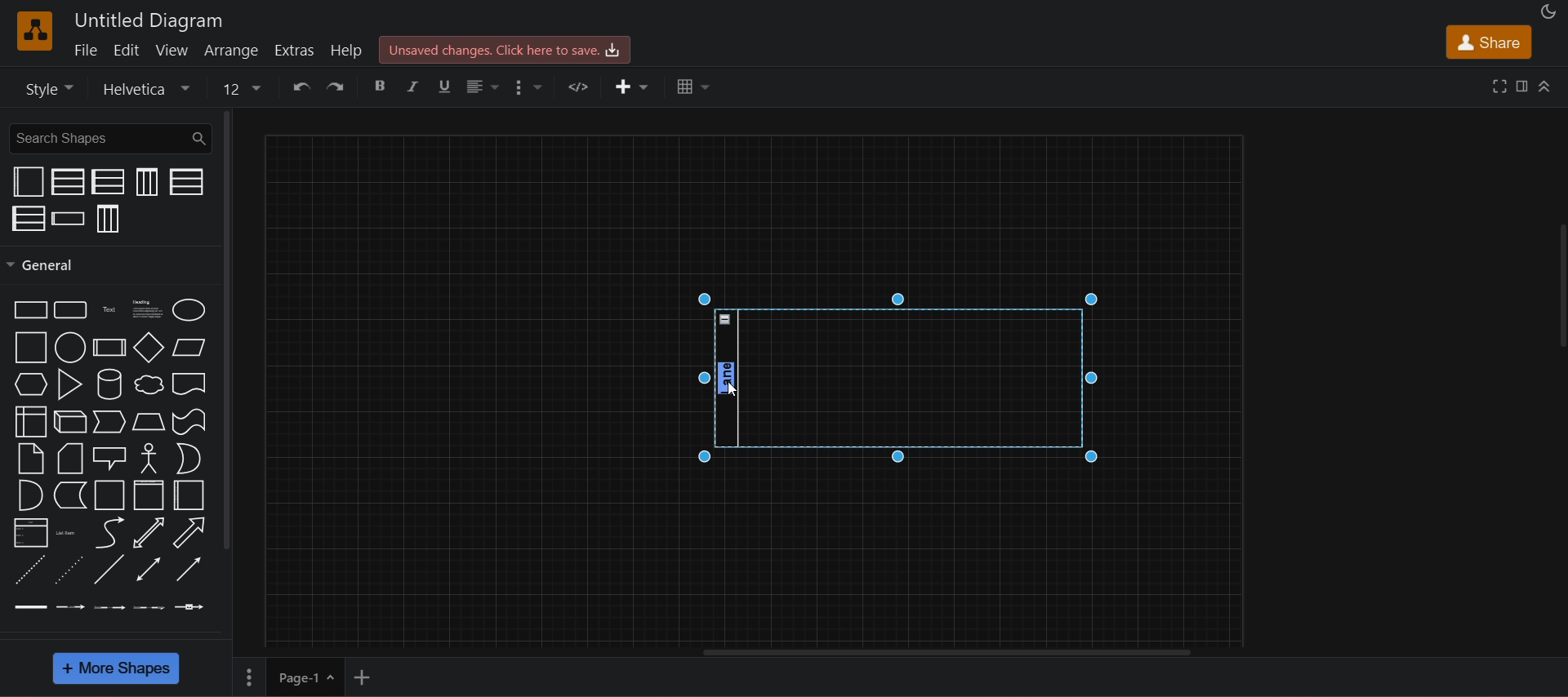 The height and width of the screenshot is (697, 1568). Describe the element at coordinates (185, 181) in the screenshot. I see `horizontal pool 1` at that location.